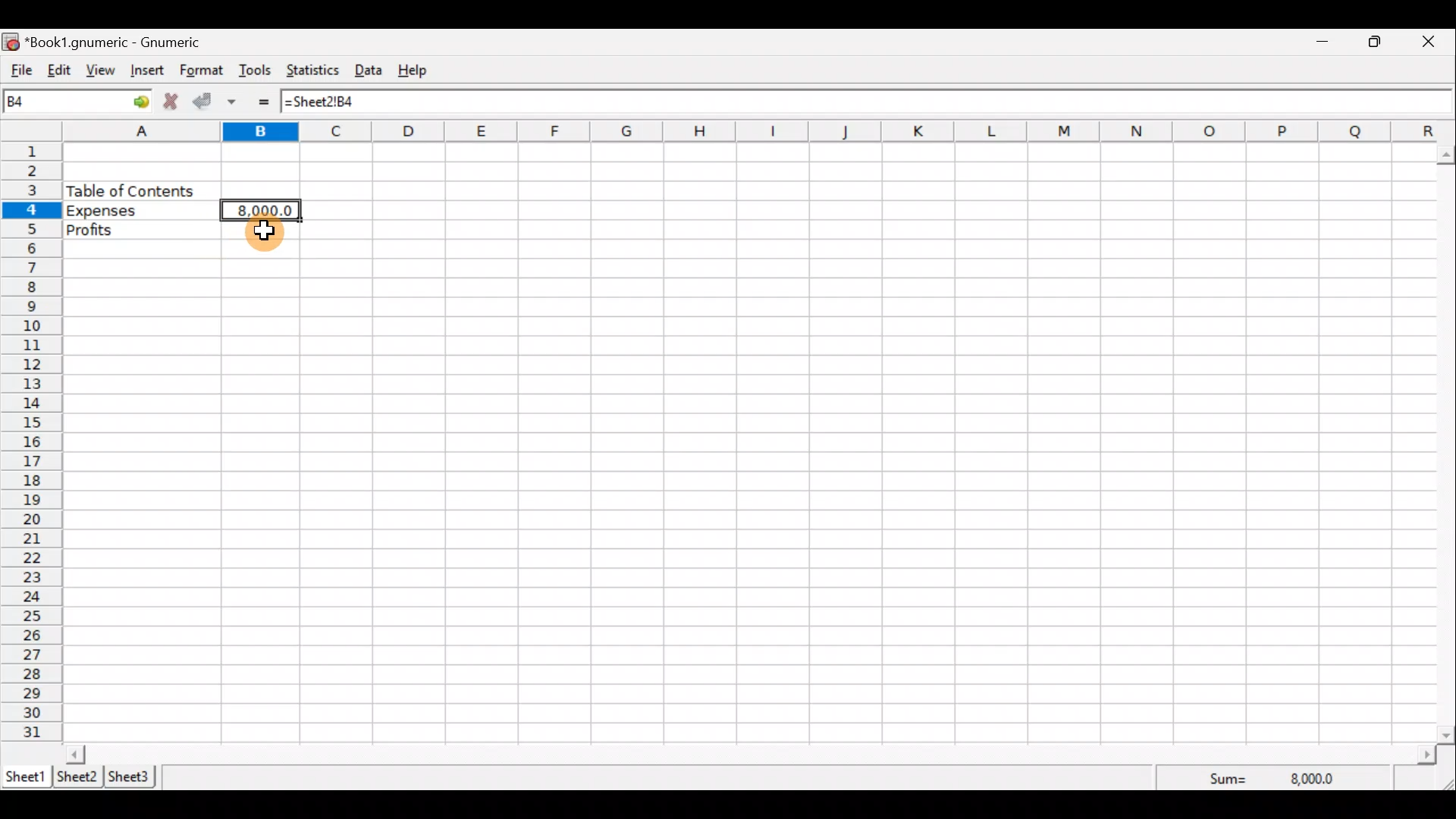 The width and height of the screenshot is (1456, 819). What do you see at coordinates (752, 754) in the screenshot?
I see `Scroll bar` at bounding box center [752, 754].